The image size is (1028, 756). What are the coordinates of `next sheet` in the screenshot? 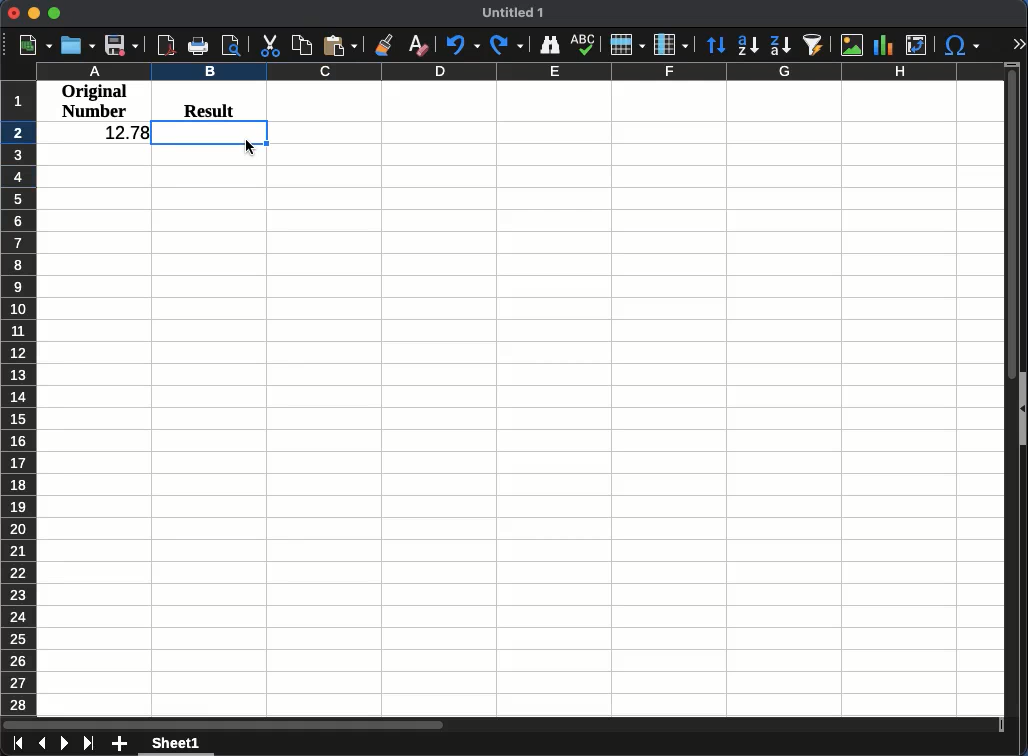 It's located at (63, 746).